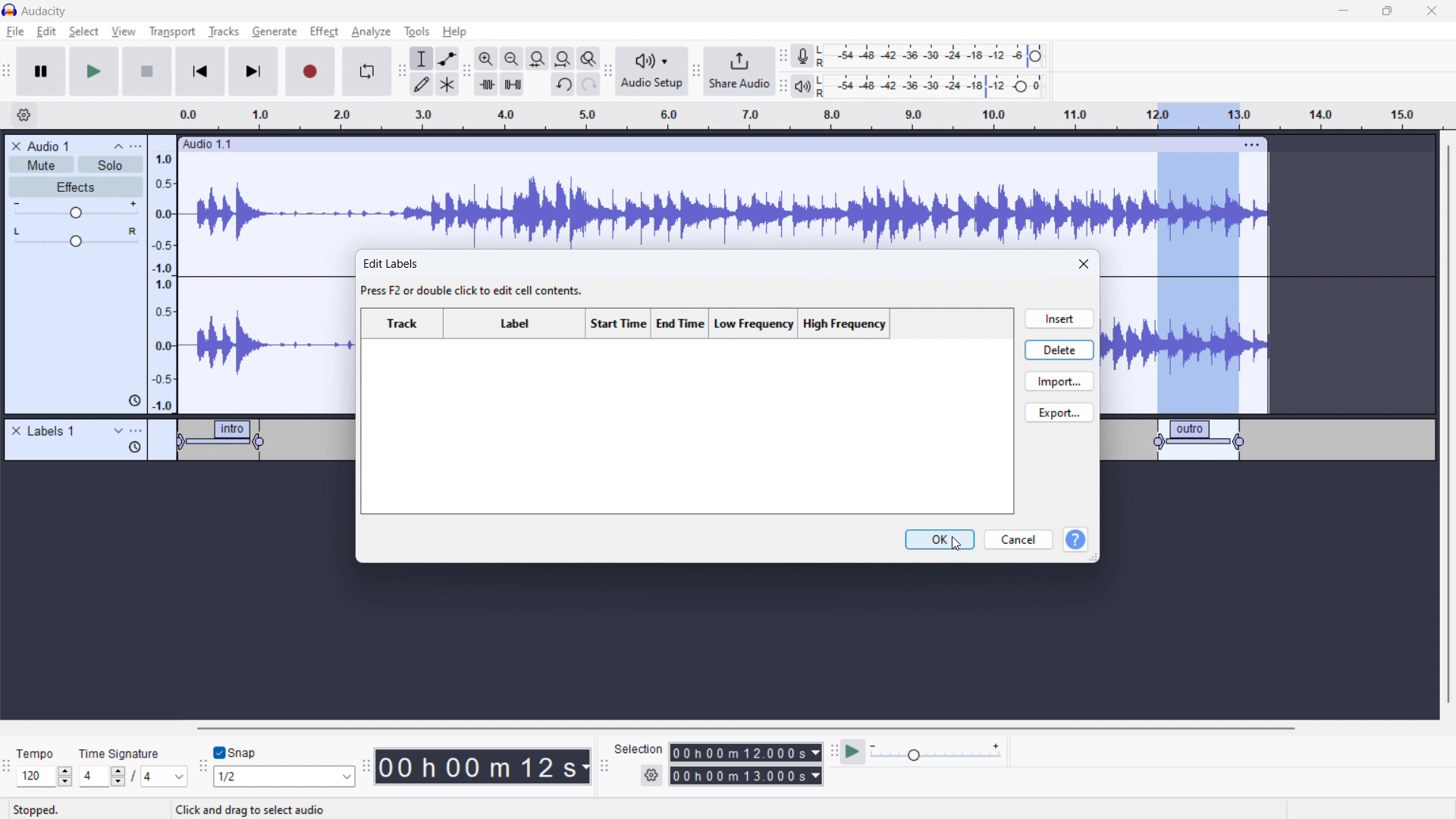 The image size is (1456, 819). I want to click on selection toolbar, so click(602, 767).